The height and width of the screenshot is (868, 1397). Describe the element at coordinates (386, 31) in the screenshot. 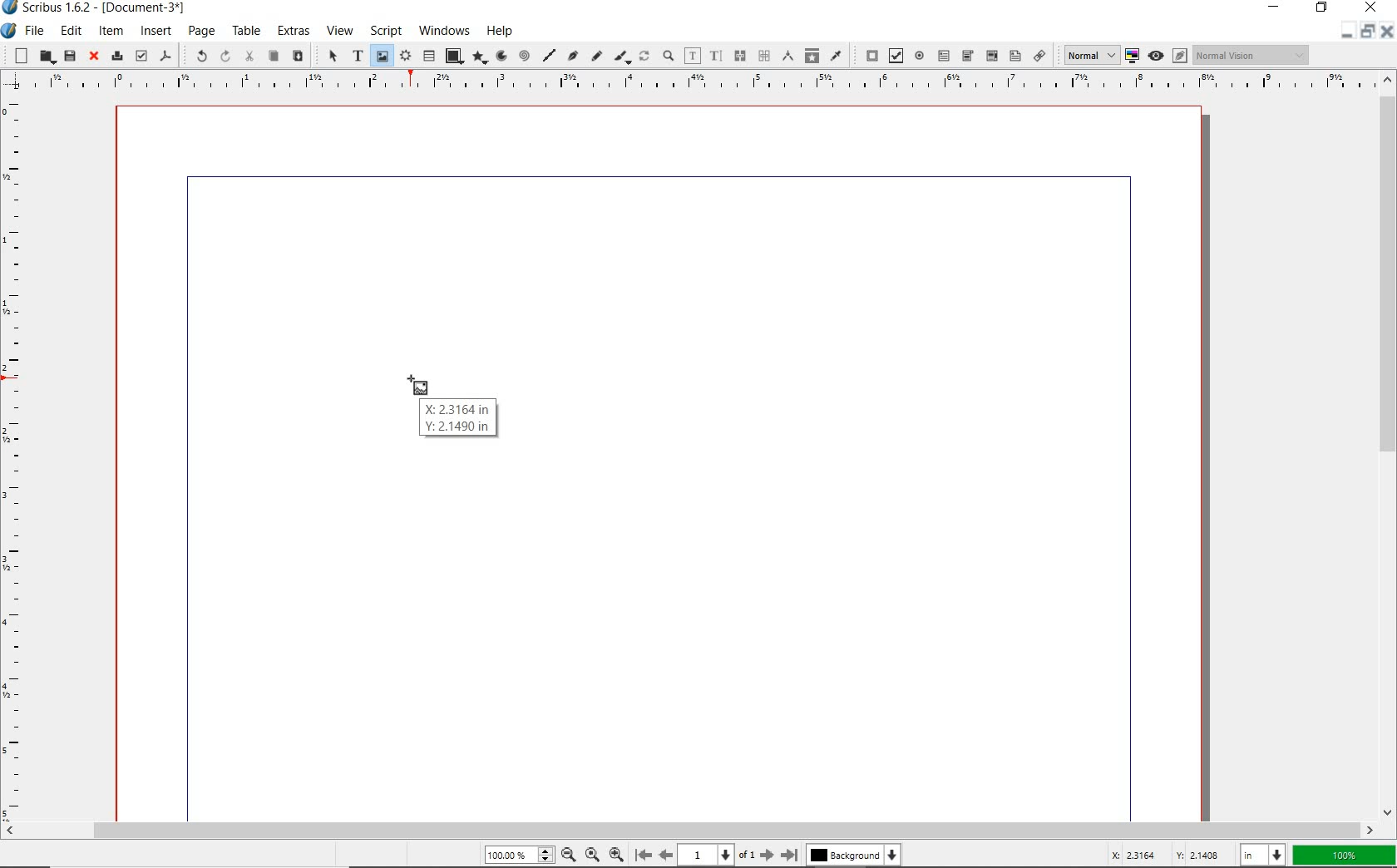

I see `SCRIPT` at that location.